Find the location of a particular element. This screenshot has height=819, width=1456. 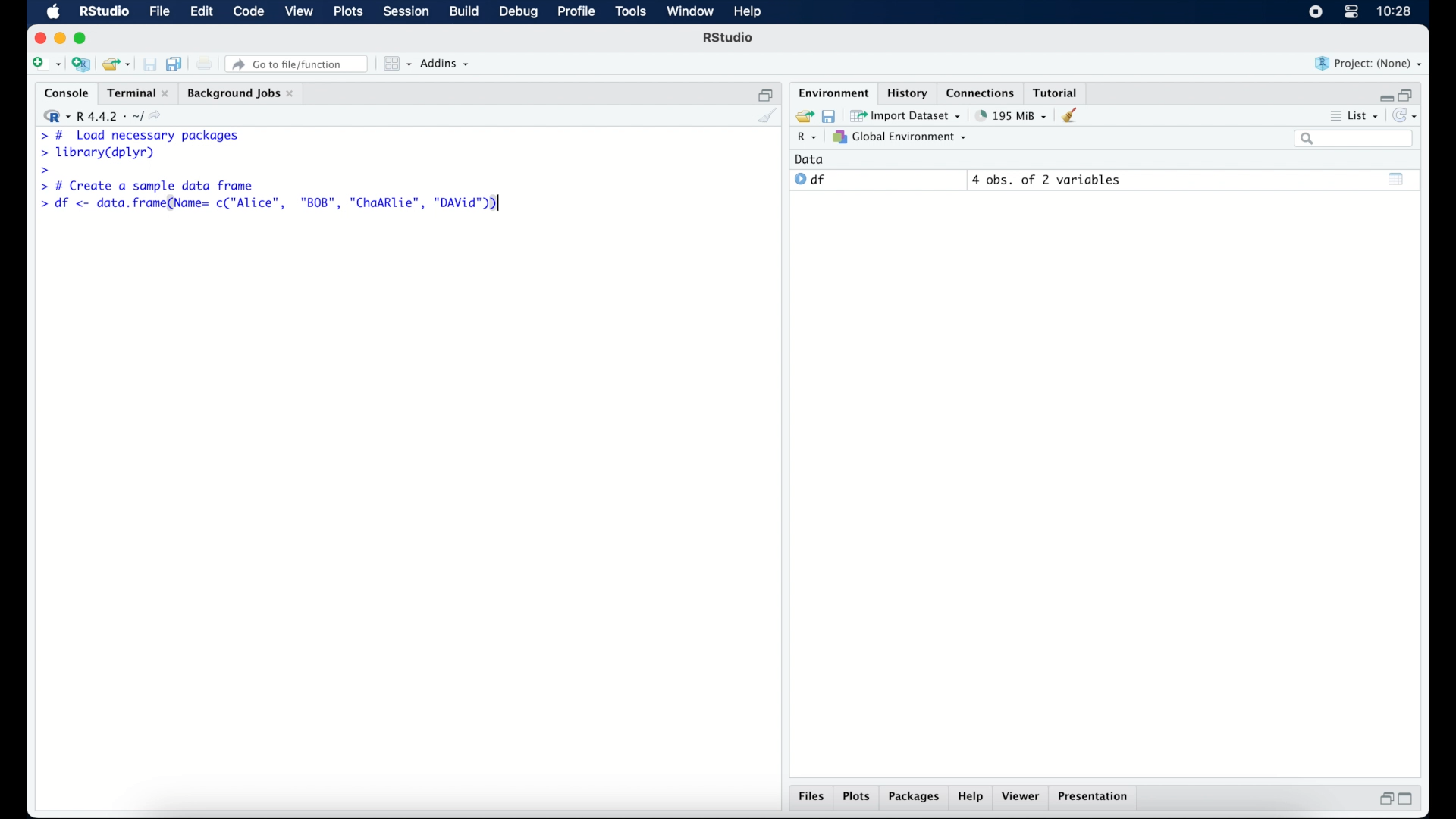

file is located at coordinates (158, 12).